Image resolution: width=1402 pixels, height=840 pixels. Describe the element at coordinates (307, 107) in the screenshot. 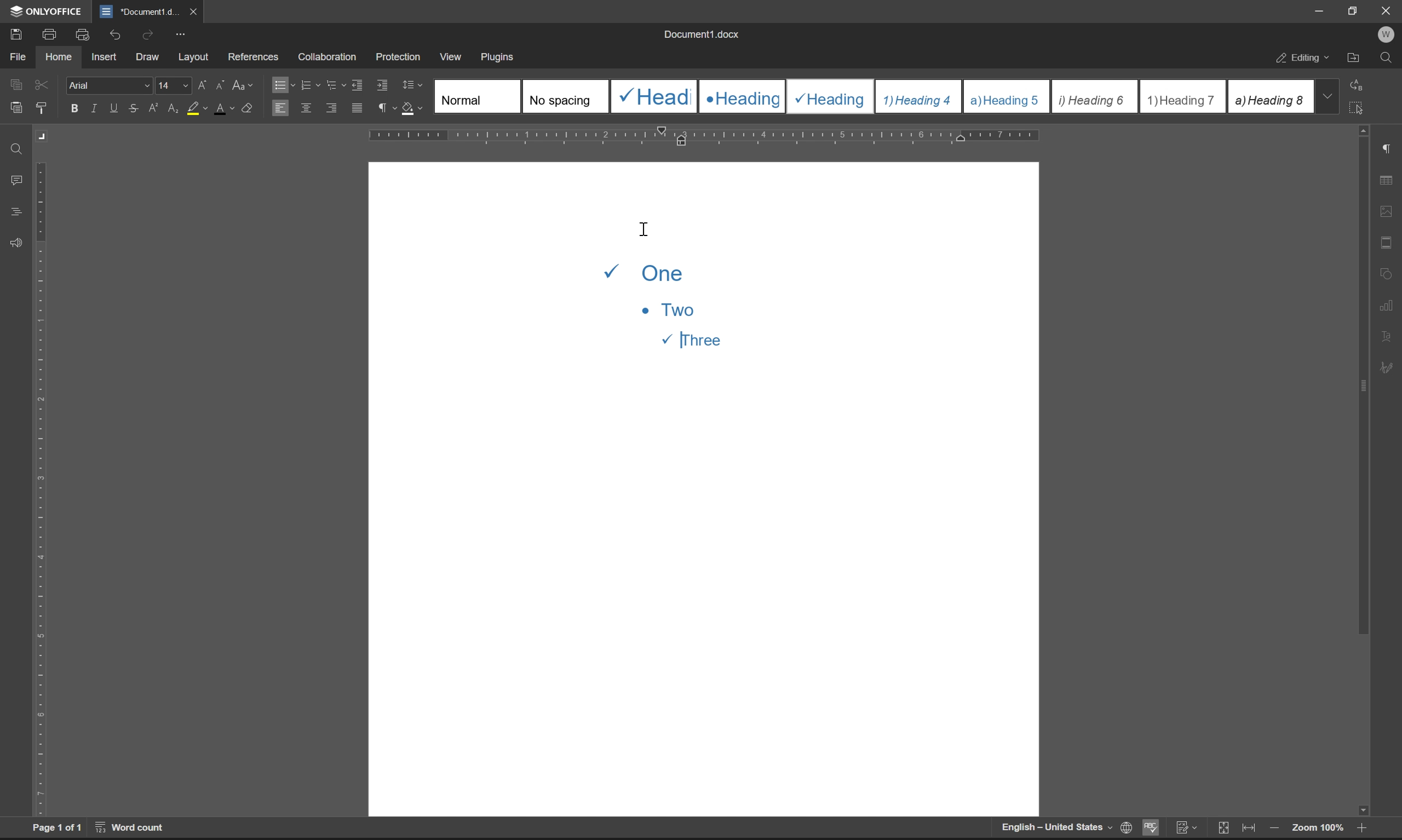

I see `align center` at that location.